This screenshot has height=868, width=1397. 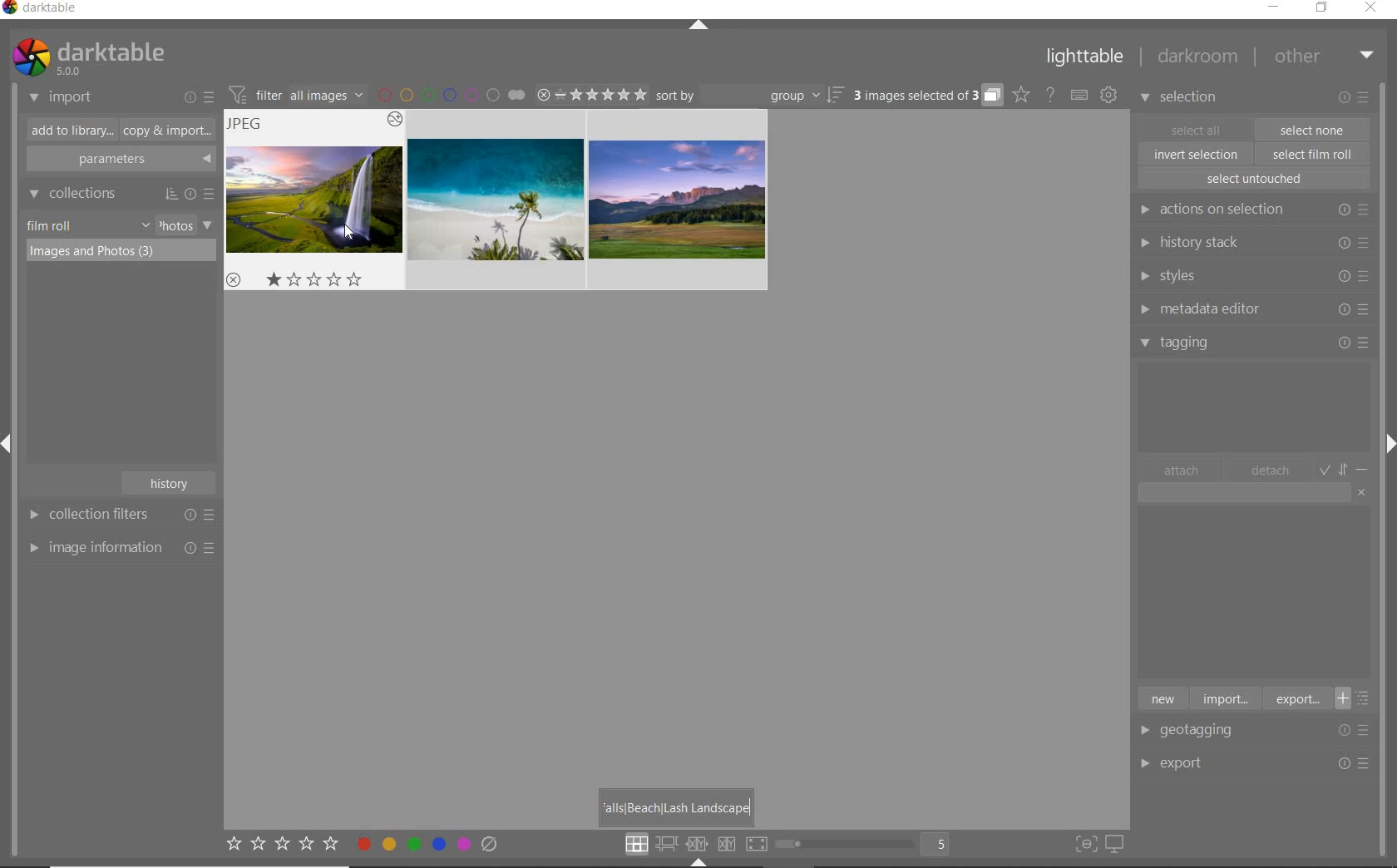 I want to click on toggle focus-peaking mode, so click(x=1084, y=842).